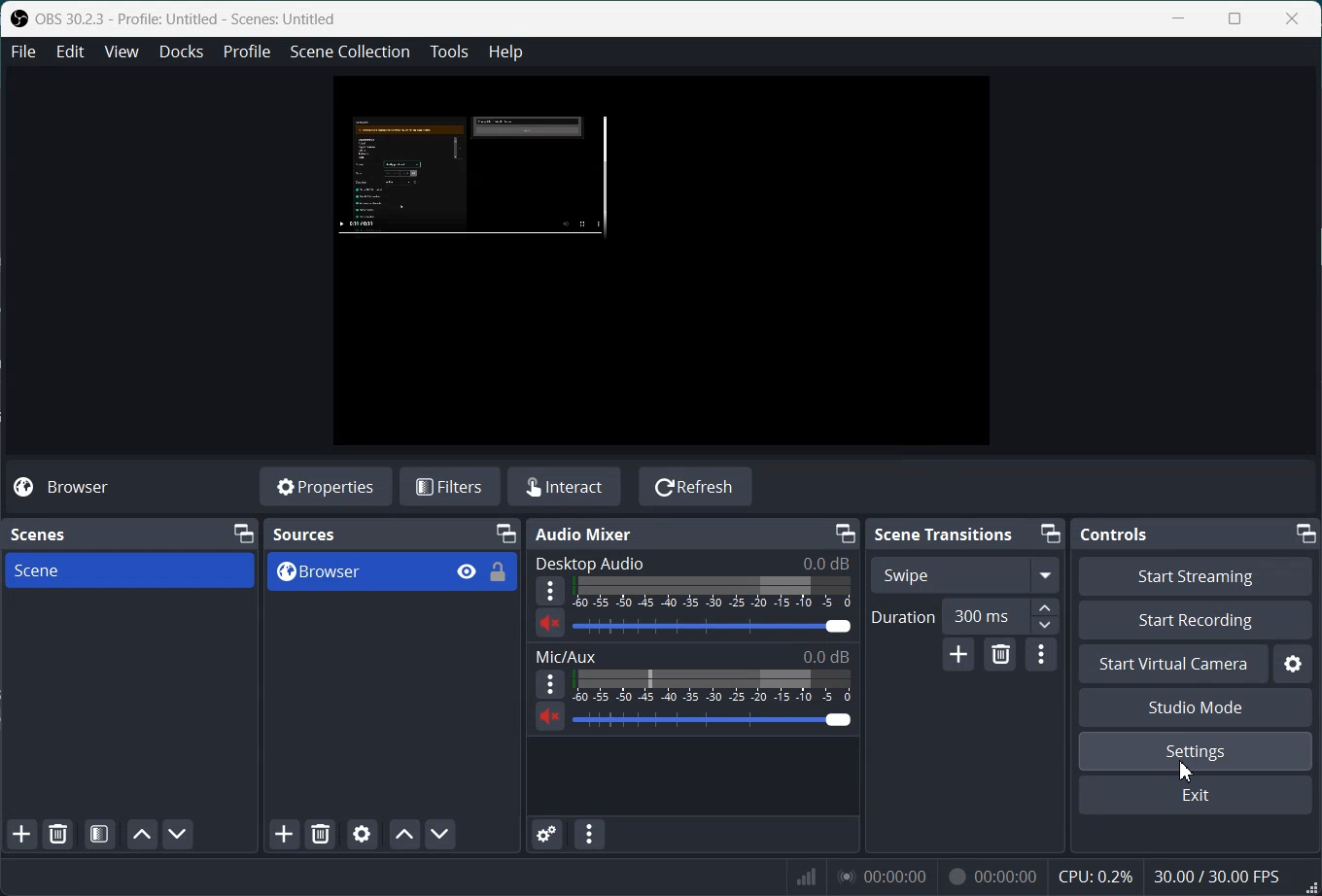 The image size is (1322, 896). What do you see at coordinates (1196, 621) in the screenshot?
I see `Start Recording` at bounding box center [1196, 621].